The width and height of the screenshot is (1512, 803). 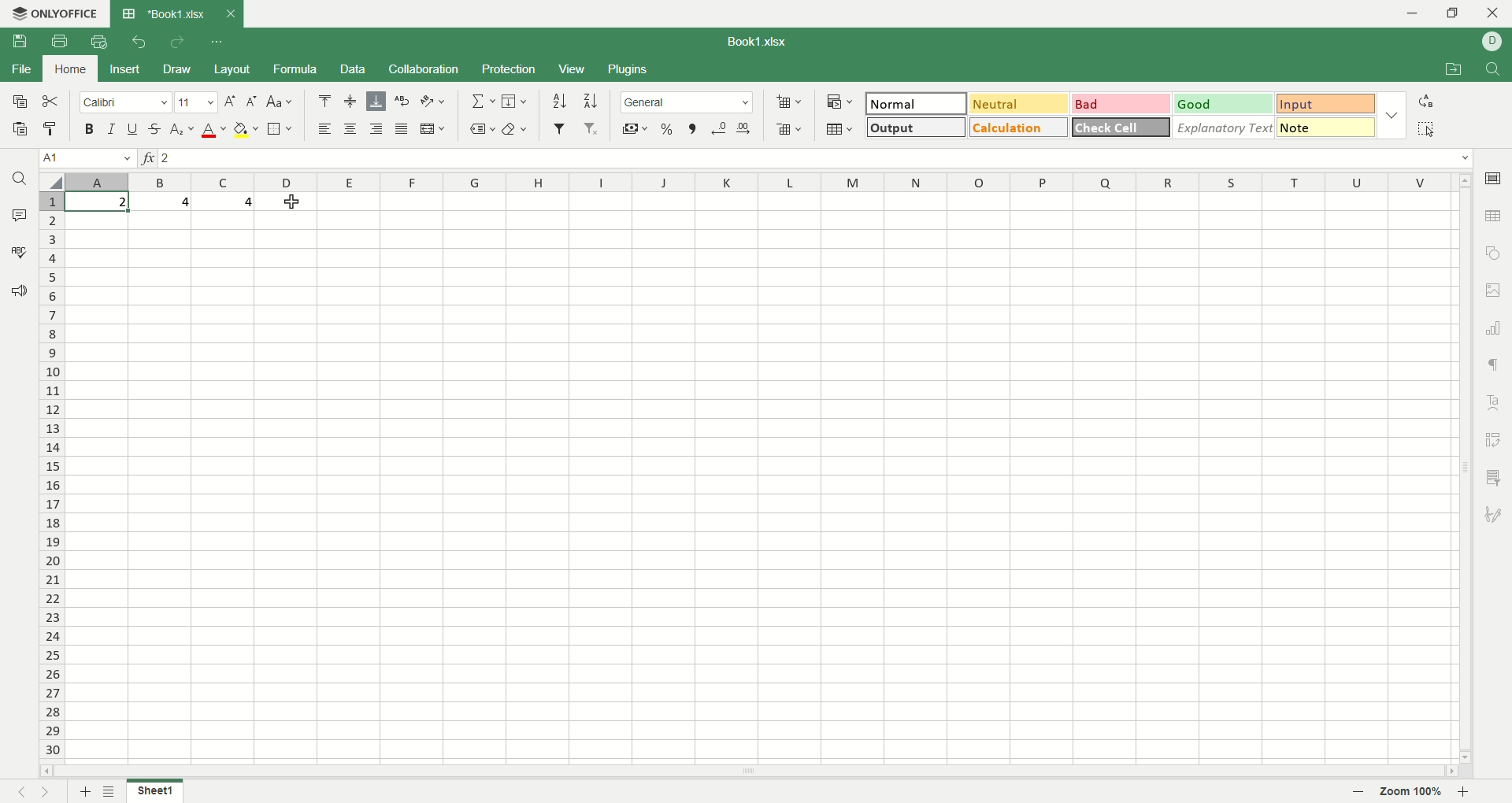 I want to click on subscript/superscript, so click(x=182, y=130).